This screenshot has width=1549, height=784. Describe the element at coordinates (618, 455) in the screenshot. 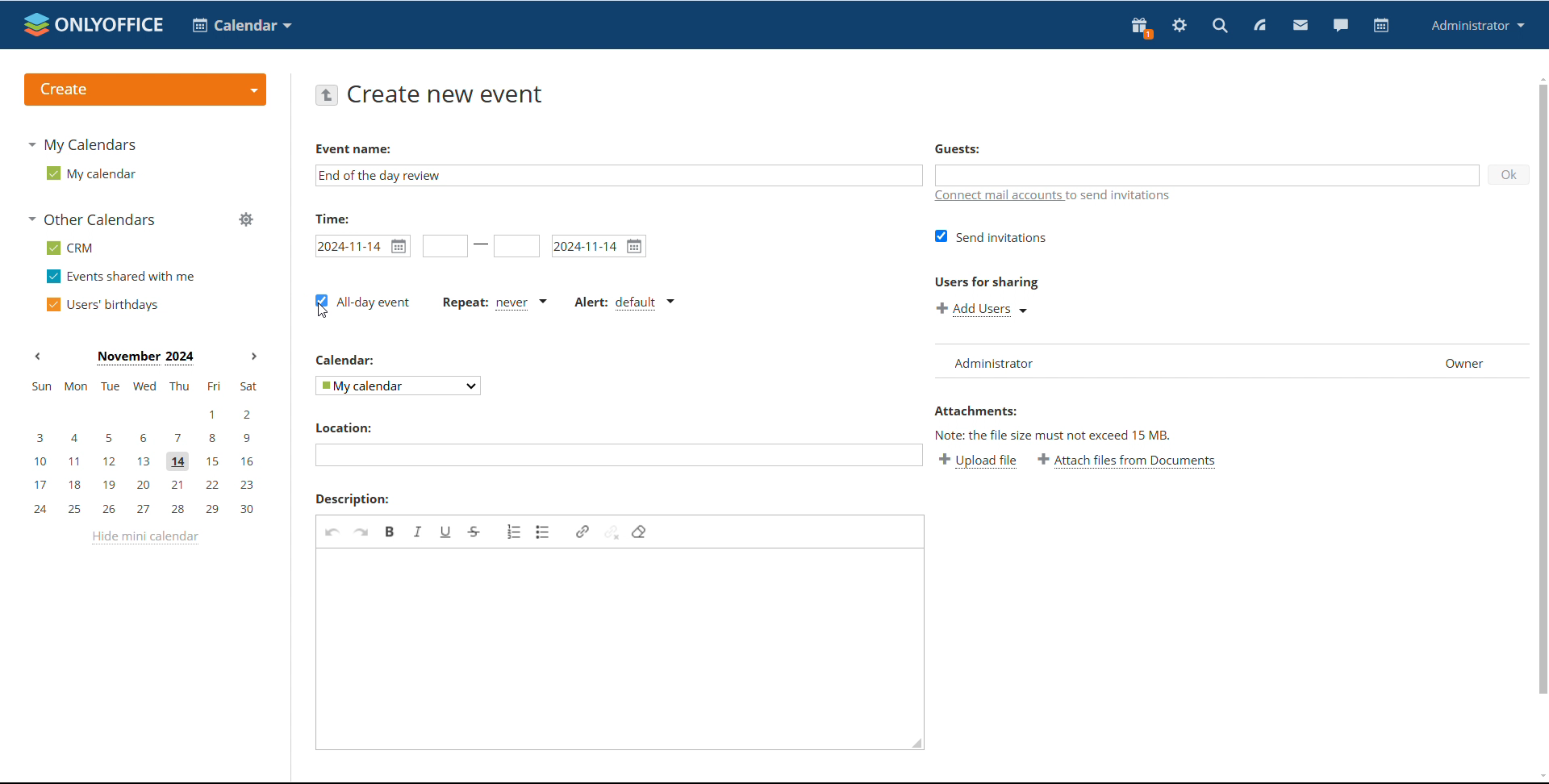

I see `add location` at that location.